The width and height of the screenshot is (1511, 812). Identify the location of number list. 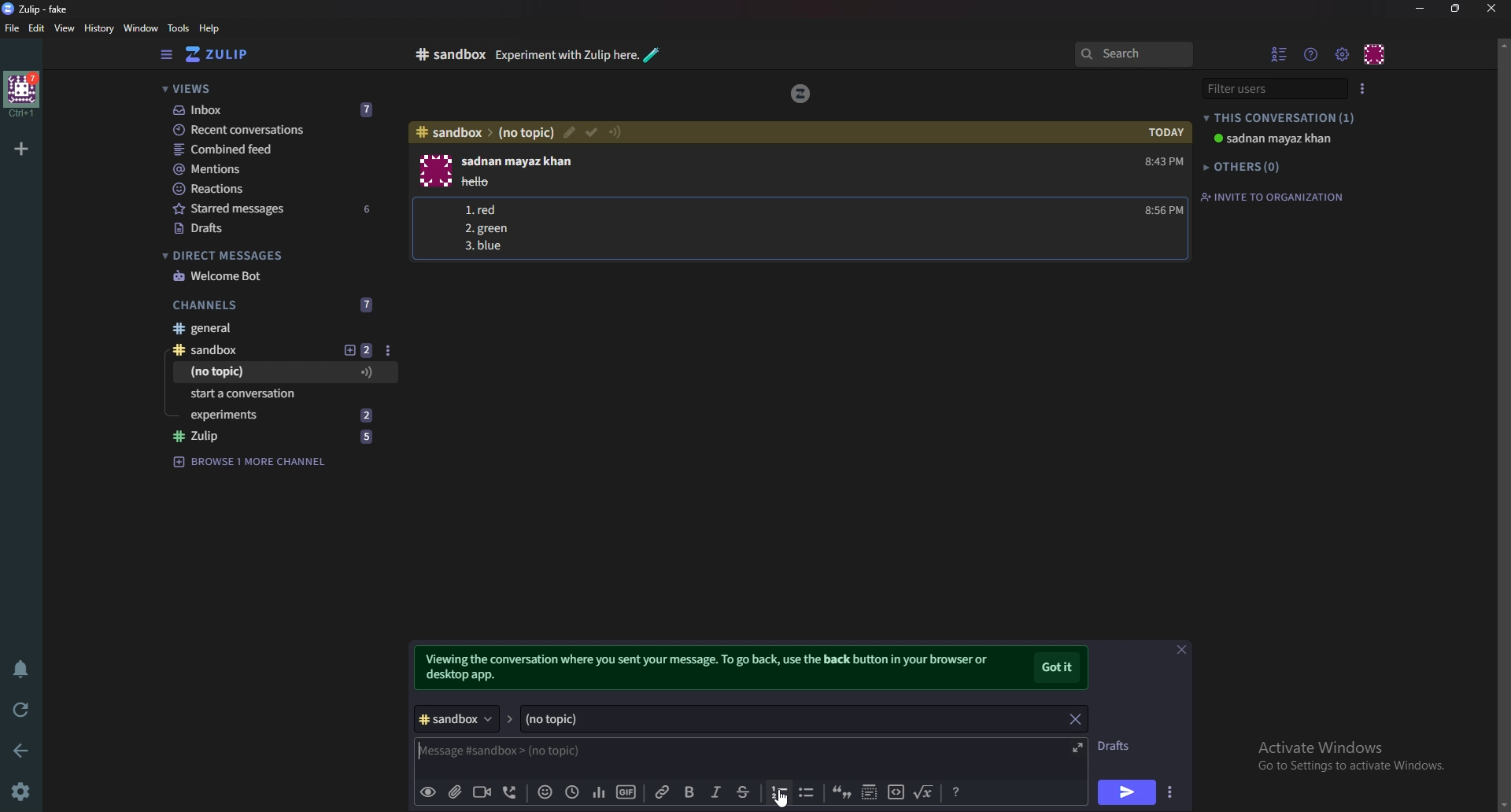
(779, 792).